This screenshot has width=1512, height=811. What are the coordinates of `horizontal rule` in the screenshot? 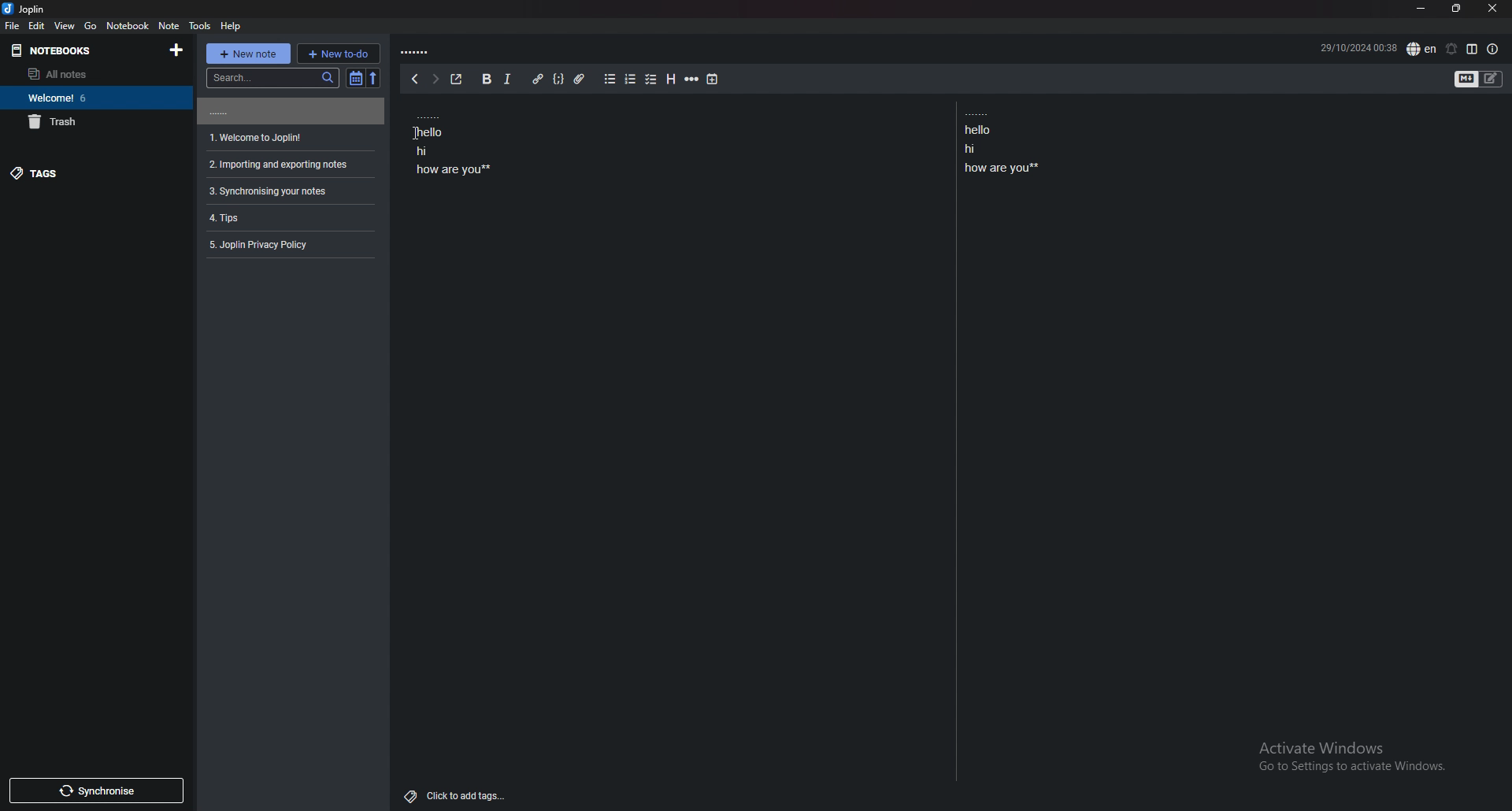 It's located at (692, 78).